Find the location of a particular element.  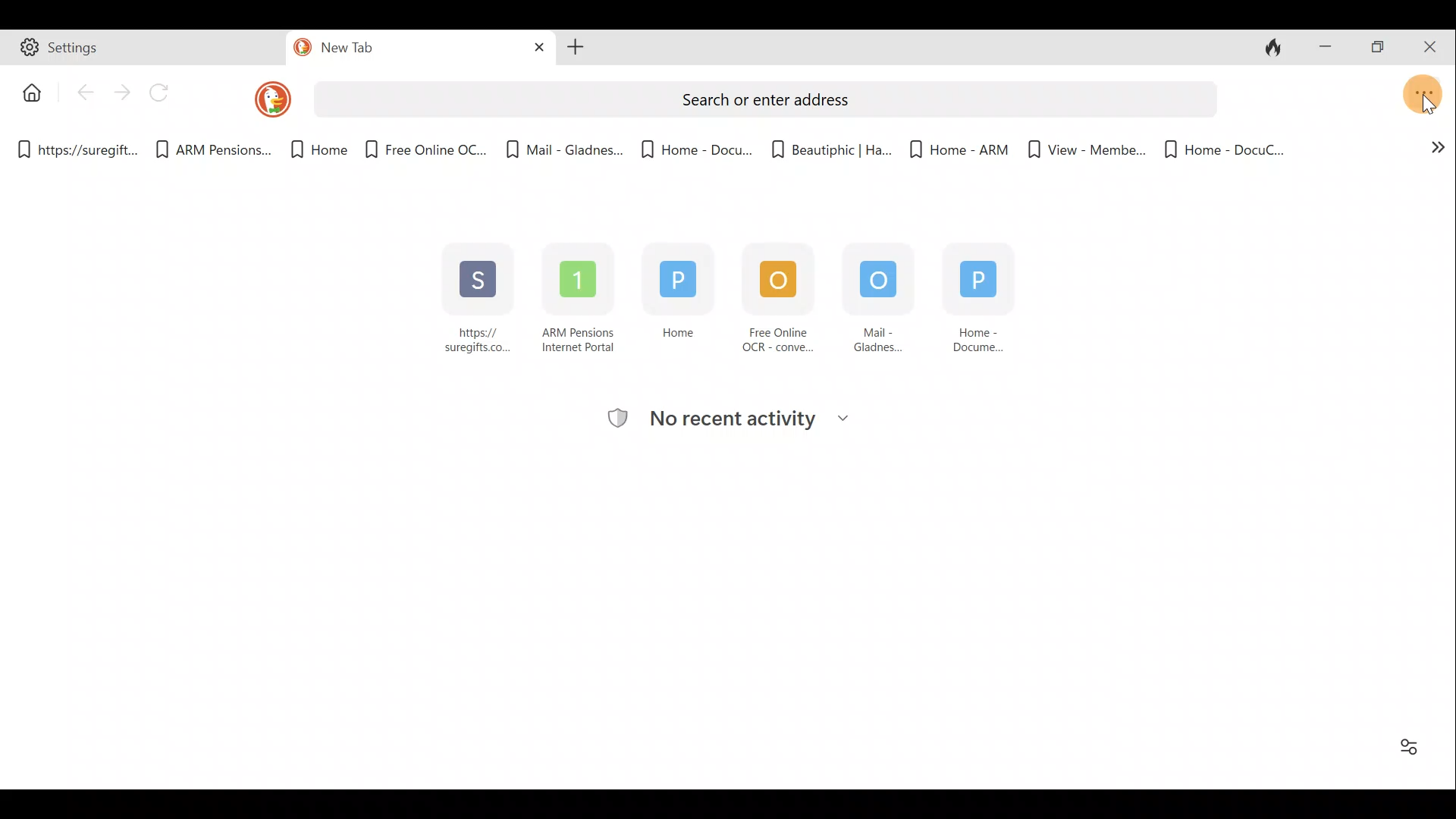

Forward is located at coordinates (124, 93).